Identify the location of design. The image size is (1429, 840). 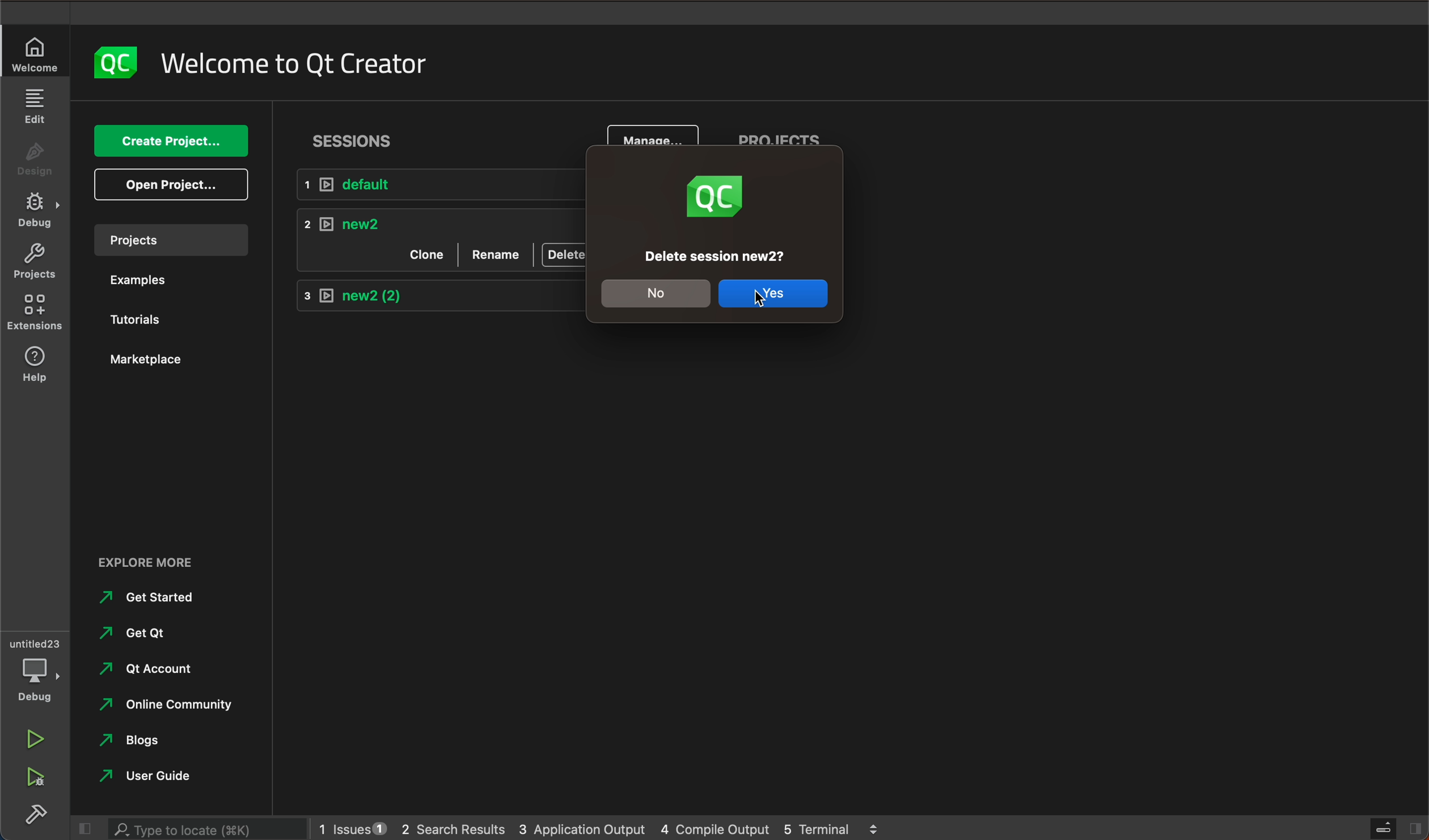
(35, 158).